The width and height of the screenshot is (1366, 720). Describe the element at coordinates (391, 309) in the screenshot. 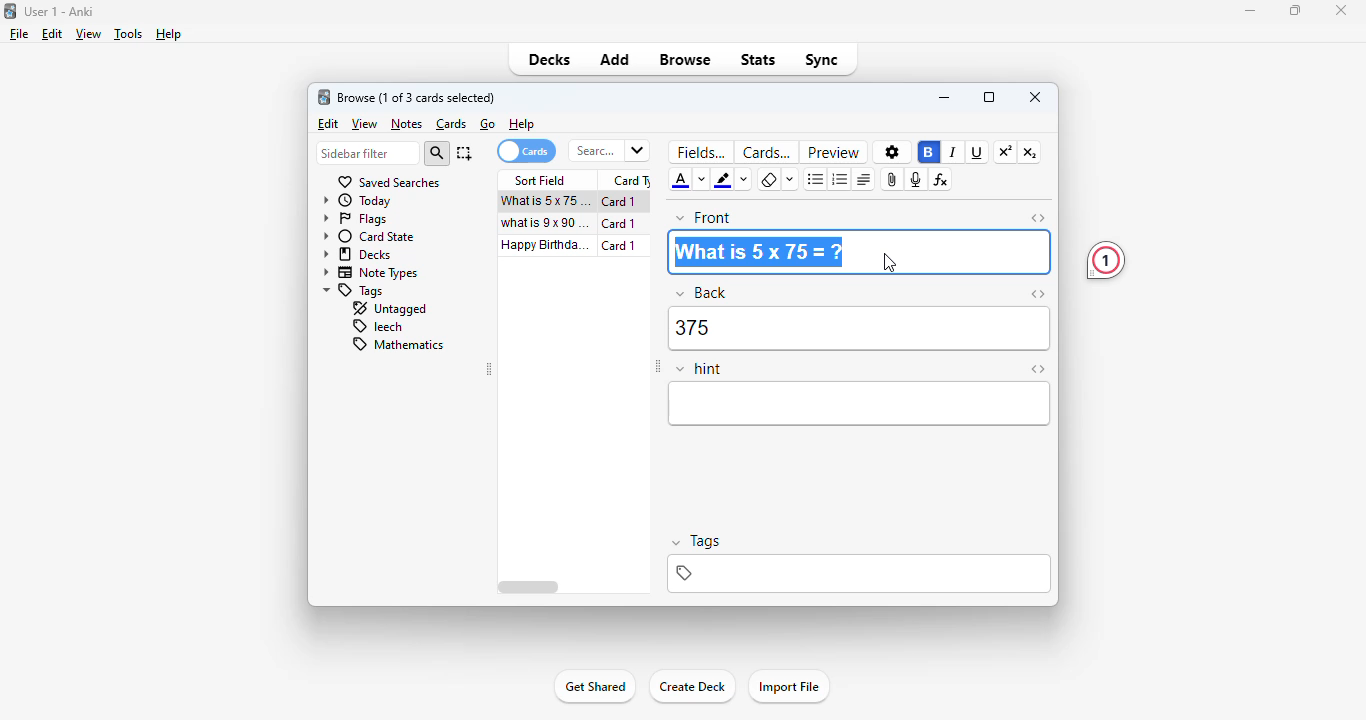

I see `untagged` at that location.